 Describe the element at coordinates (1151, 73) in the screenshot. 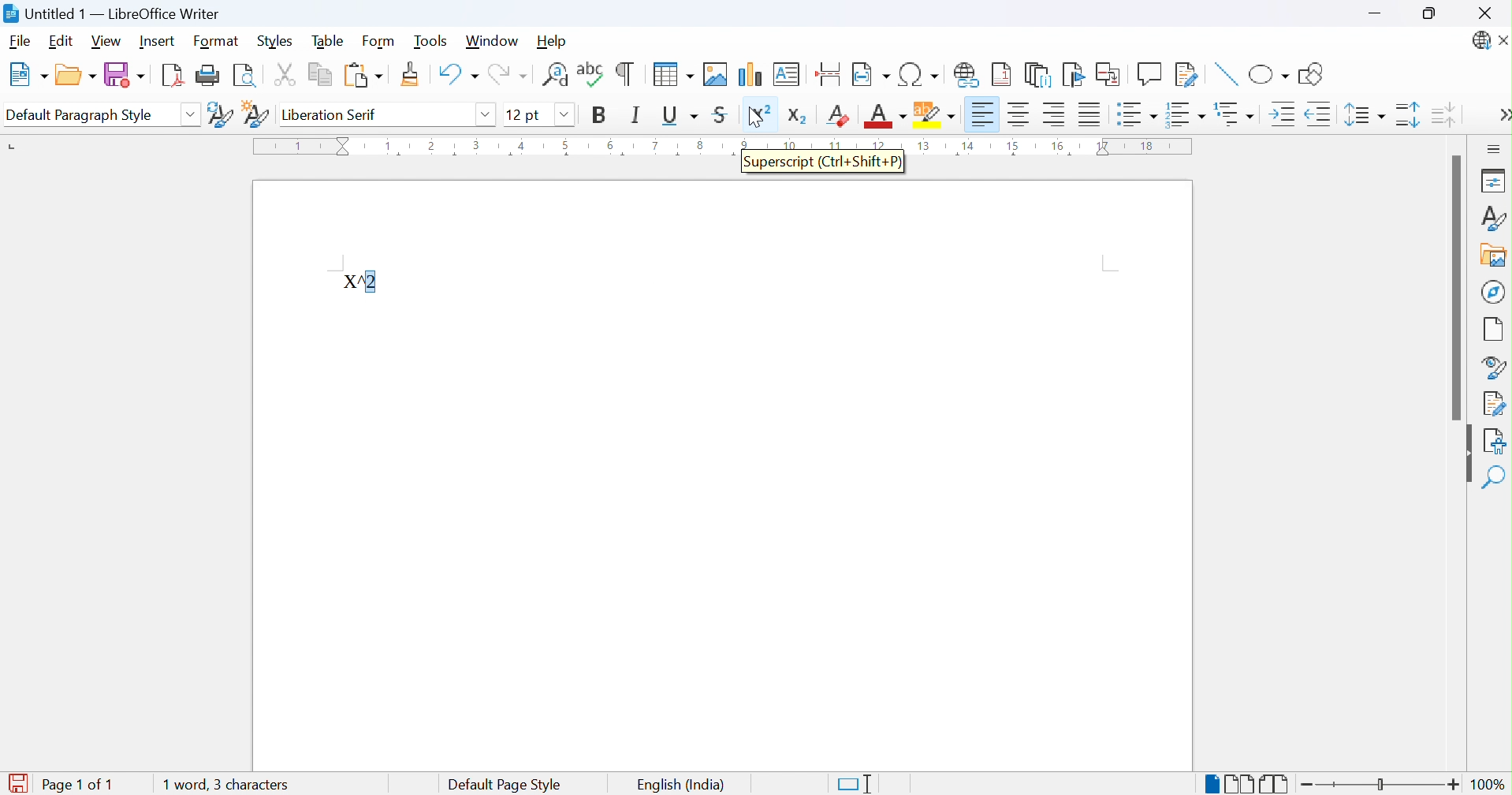

I see `Insert comment` at that location.